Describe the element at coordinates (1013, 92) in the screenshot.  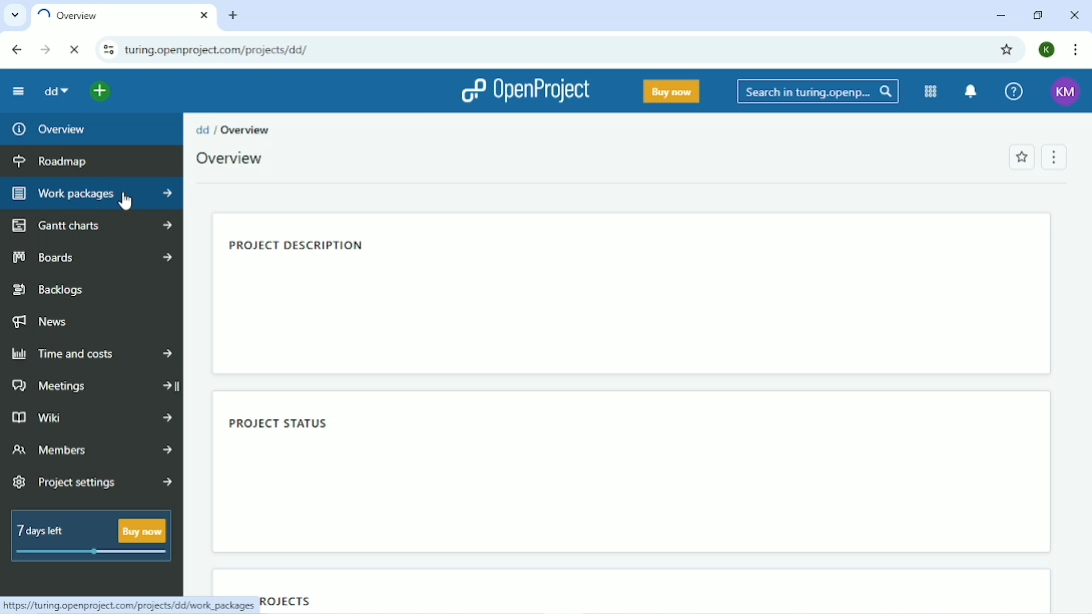
I see `Help` at that location.